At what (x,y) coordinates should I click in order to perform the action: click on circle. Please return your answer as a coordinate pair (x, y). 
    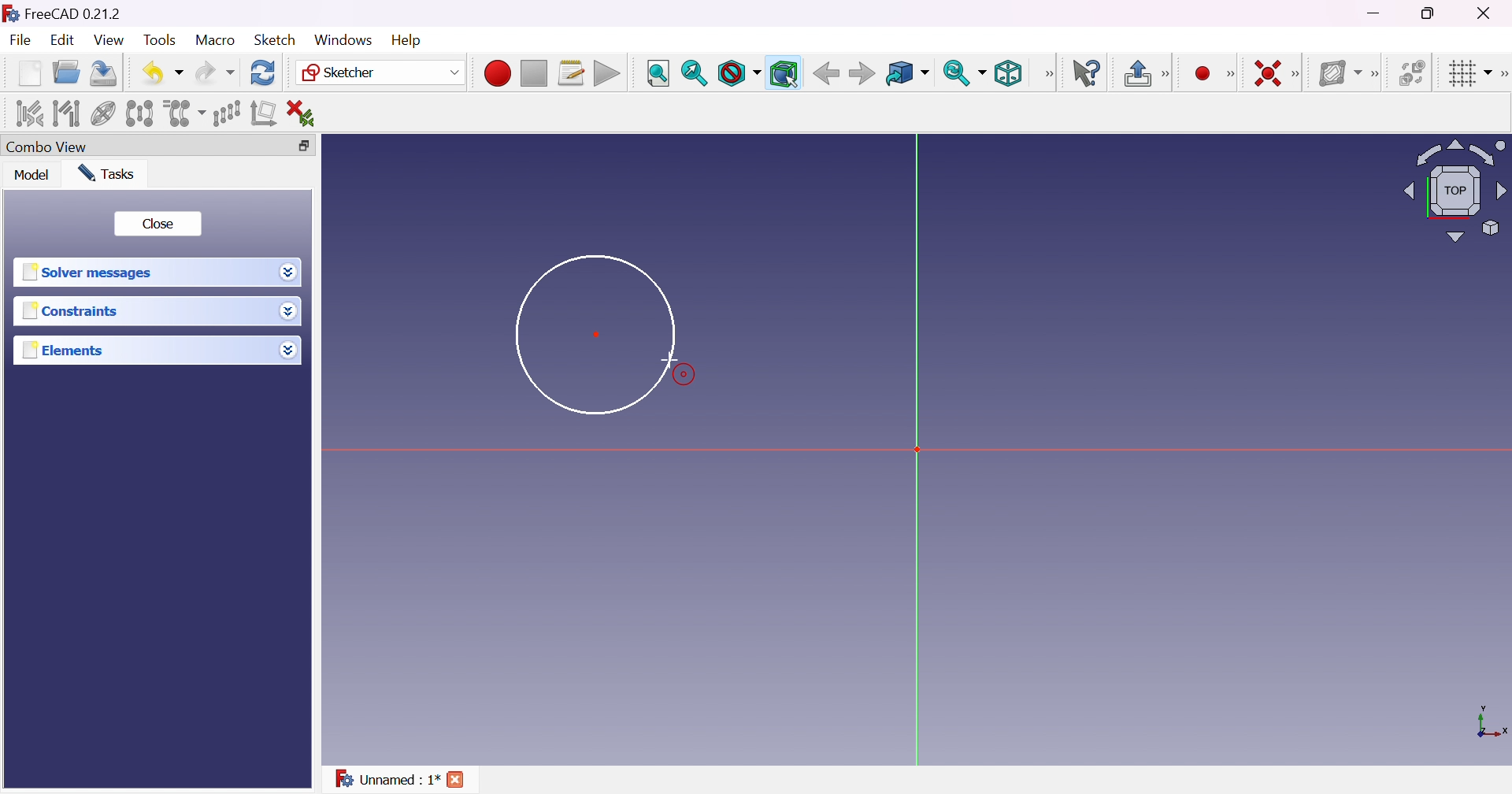
    Looking at the image, I should click on (595, 333).